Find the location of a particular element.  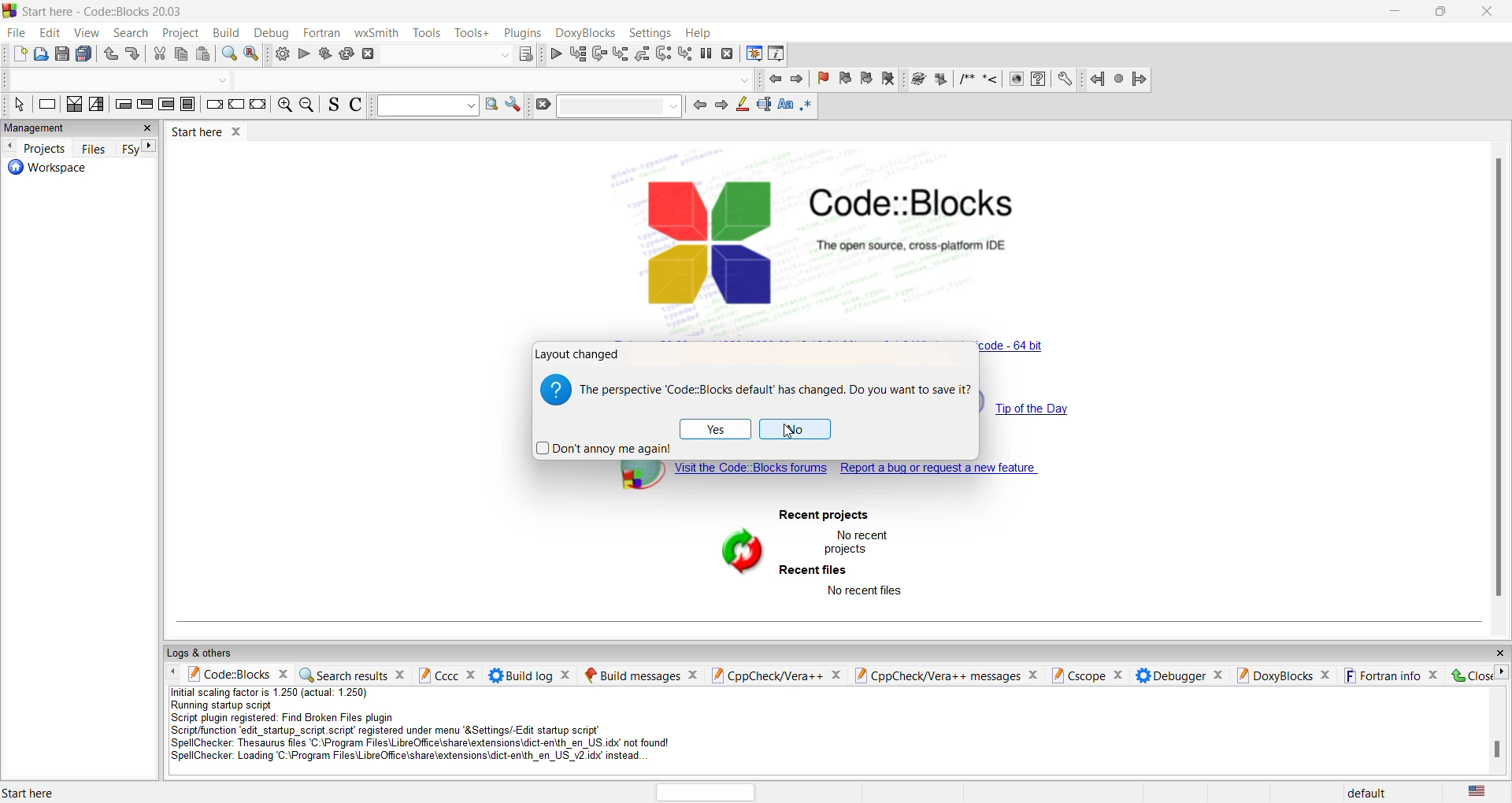

previous bookmark is located at coordinates (844, 80).